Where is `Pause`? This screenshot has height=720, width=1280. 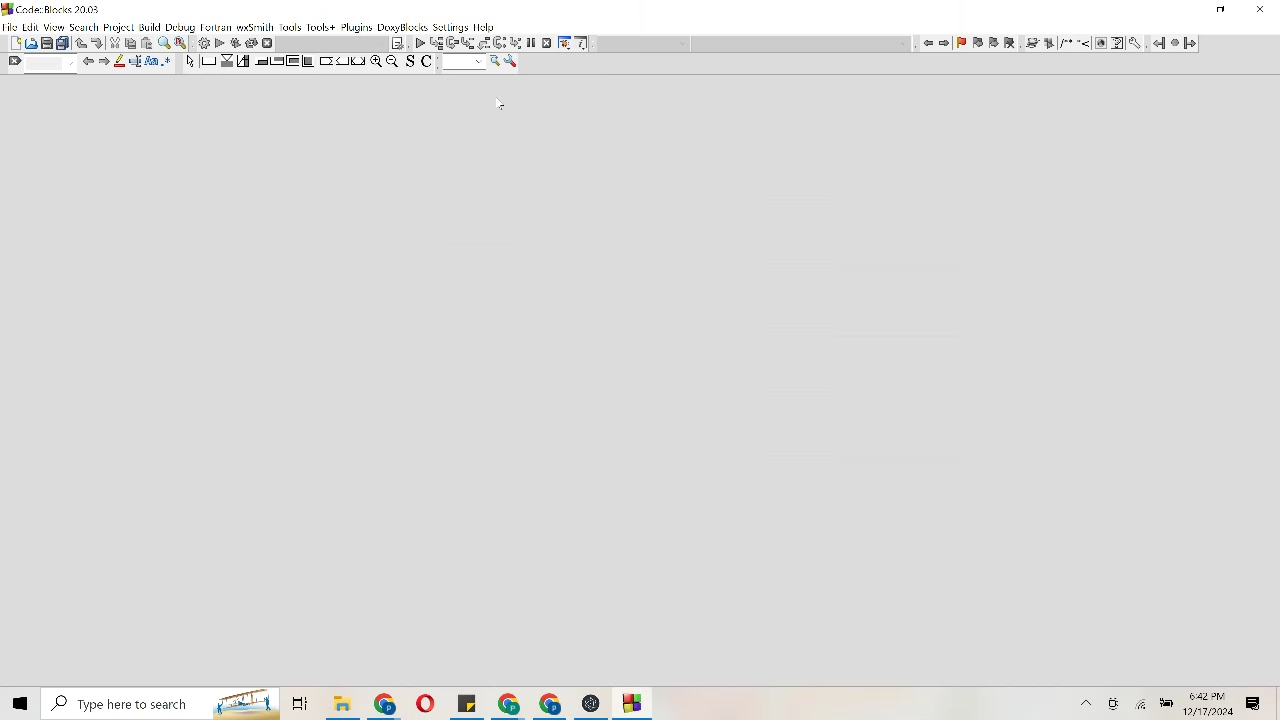 Pause is located at coordinates (1174, 44).